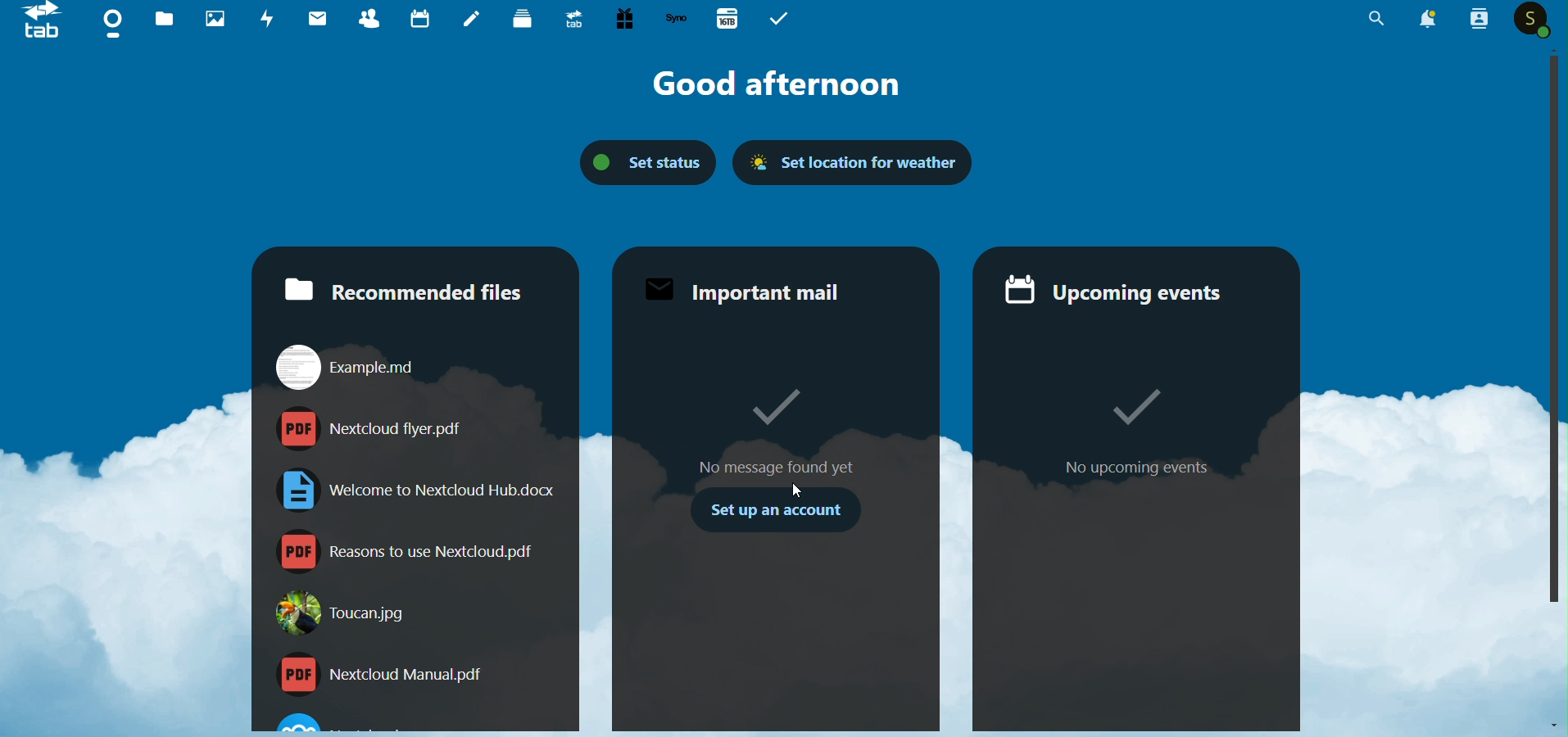 This screenshot has width=1568, height=737. Describe the element at coordinates (646, 167) in the screenshot. I see `set status` at that location.